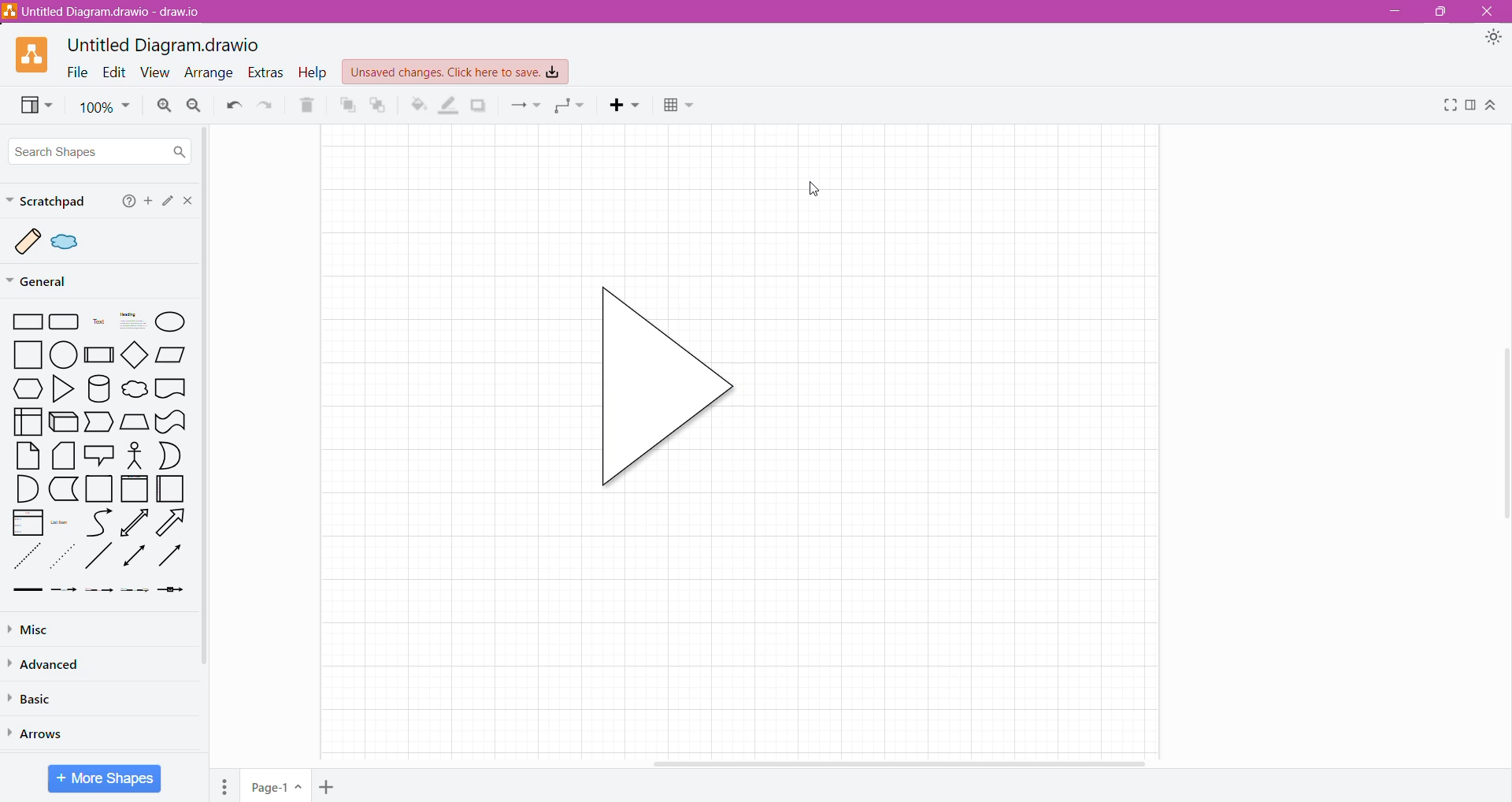  I want to click on Page Name, so click(274, 785).